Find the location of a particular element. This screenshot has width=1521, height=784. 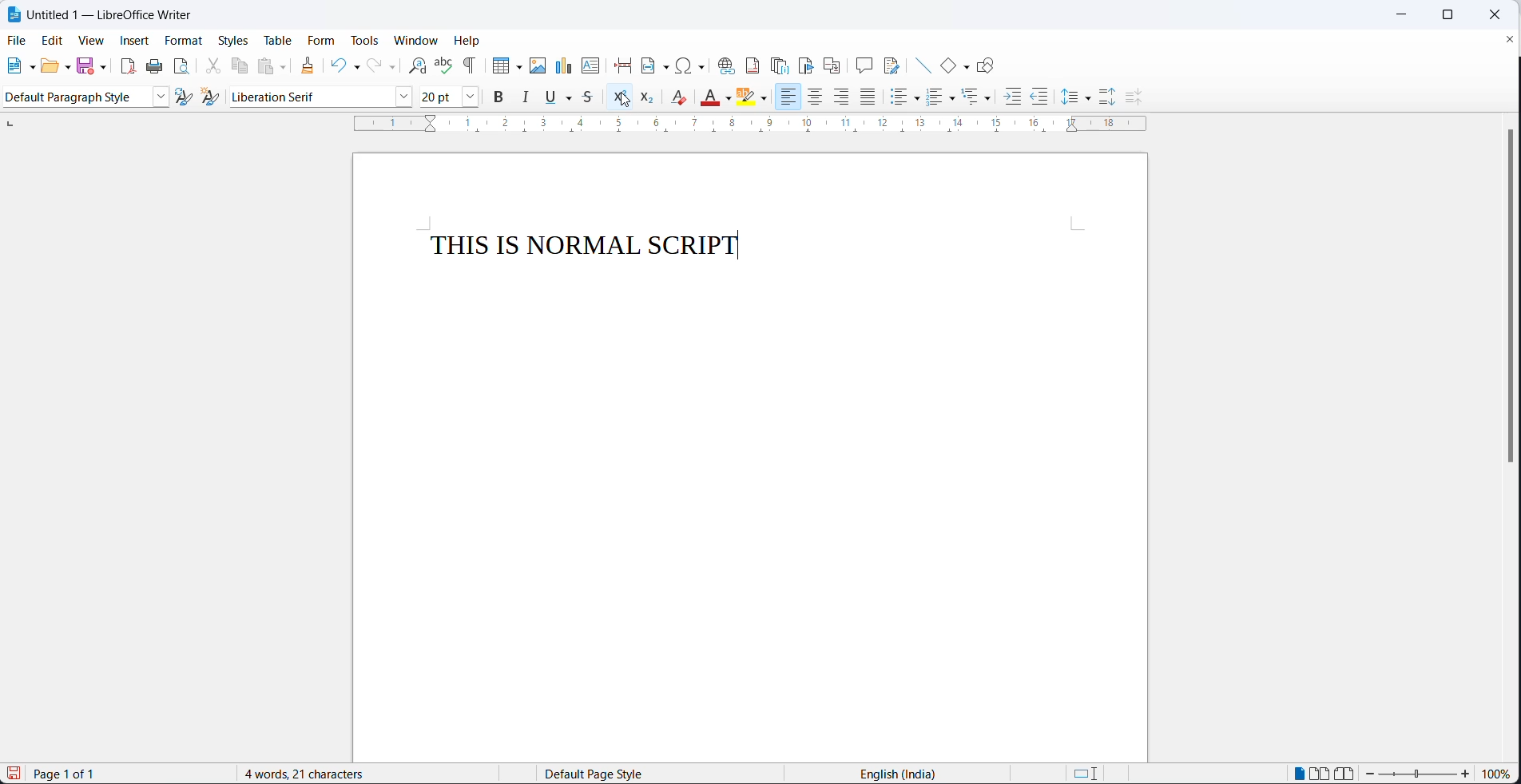

paste options is located at coordinates (288, 65).